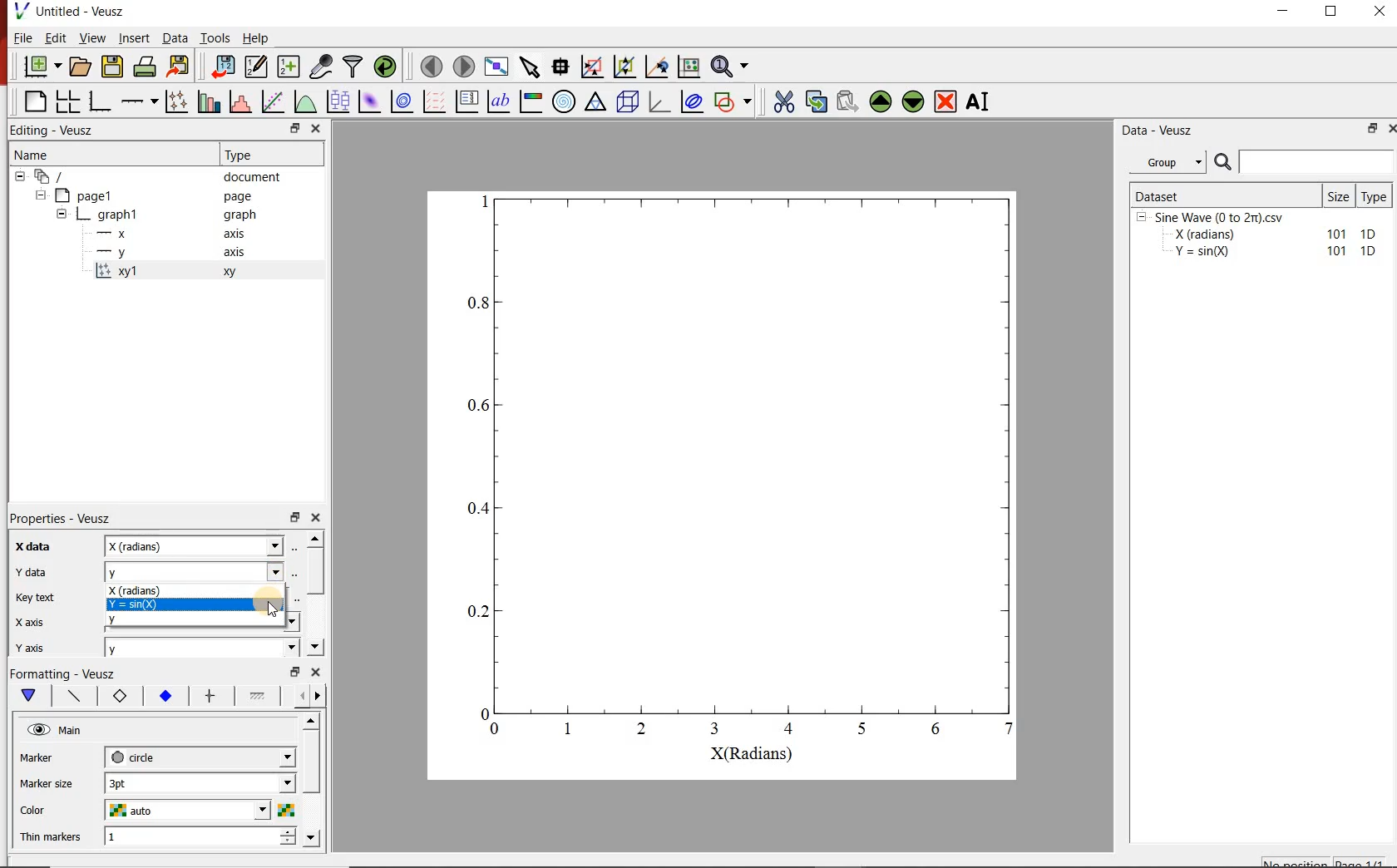  I want to click on Close, so click(316, 130).